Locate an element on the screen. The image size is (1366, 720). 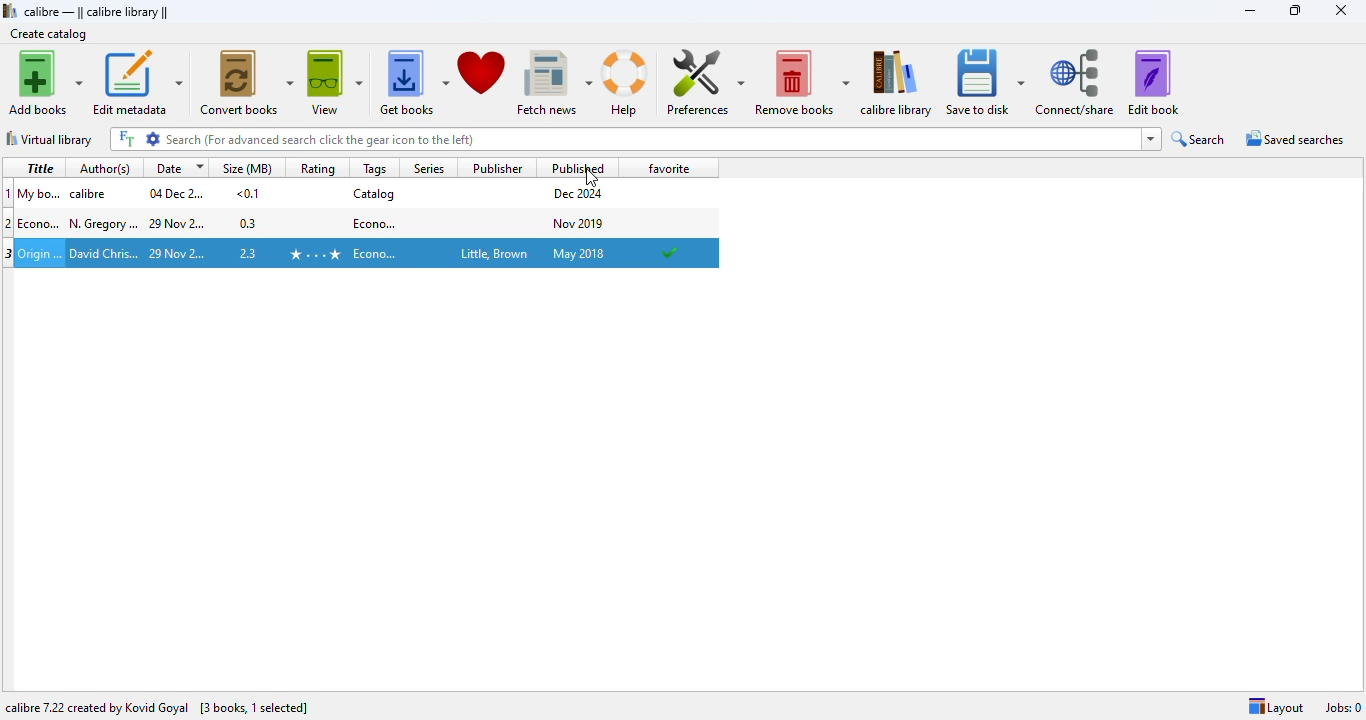
publisher is located at coordinates (498, 167).